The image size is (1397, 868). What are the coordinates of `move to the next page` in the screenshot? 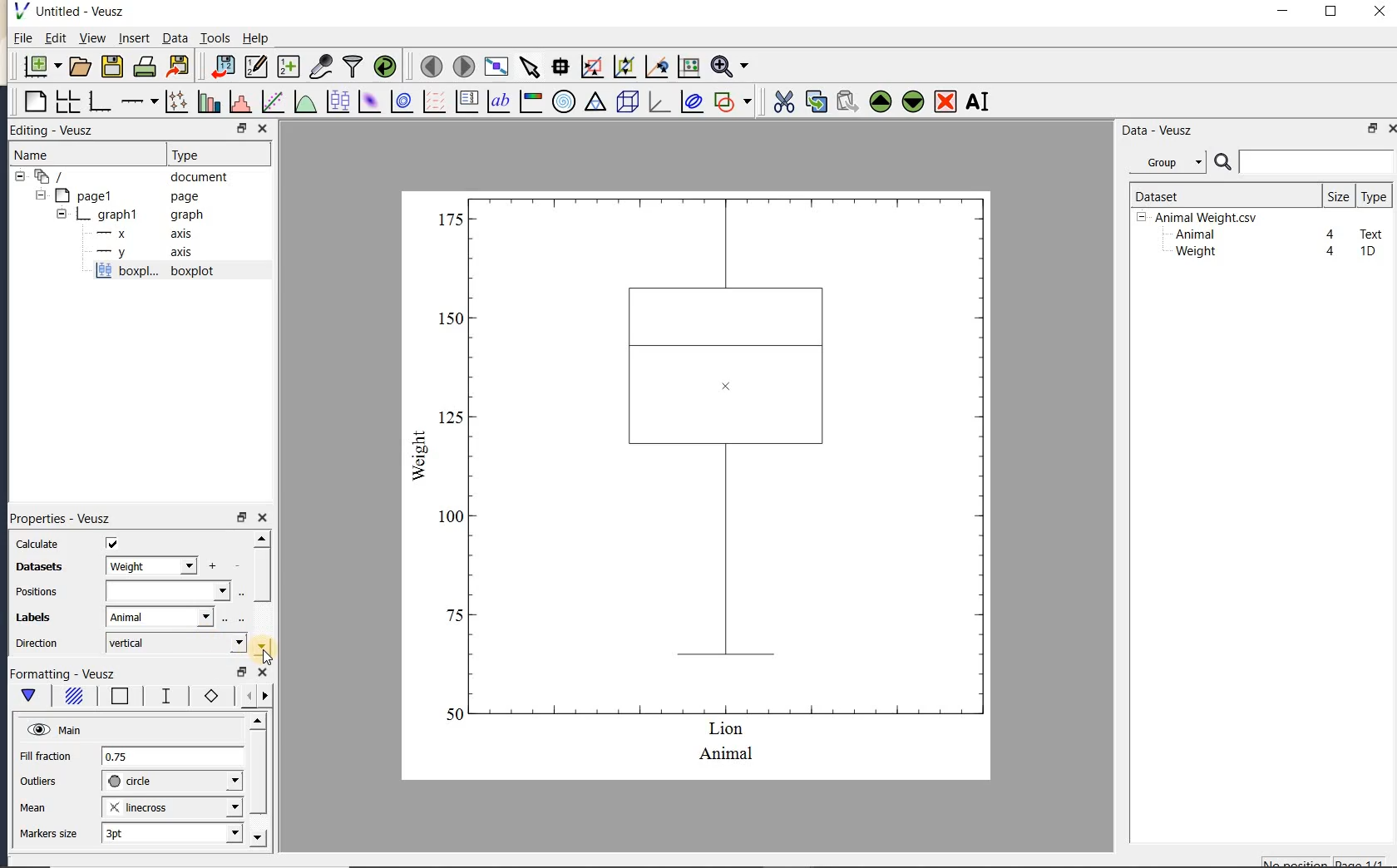 It's located at (462, 65).